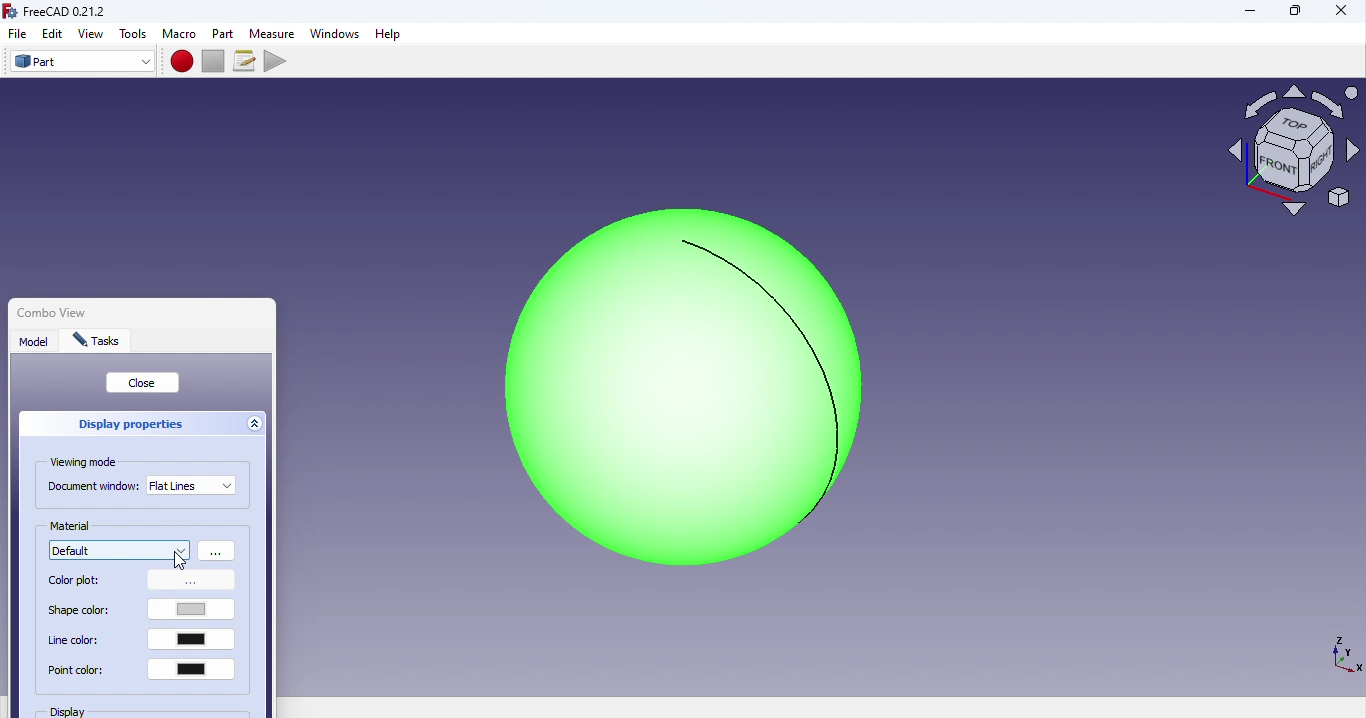 Image resolution: width=1366 pixels, height=718 pixels. What do you see at coordinates (180, 560) in the screenshot?
I see `cursor` at bounding box center [180, 560].